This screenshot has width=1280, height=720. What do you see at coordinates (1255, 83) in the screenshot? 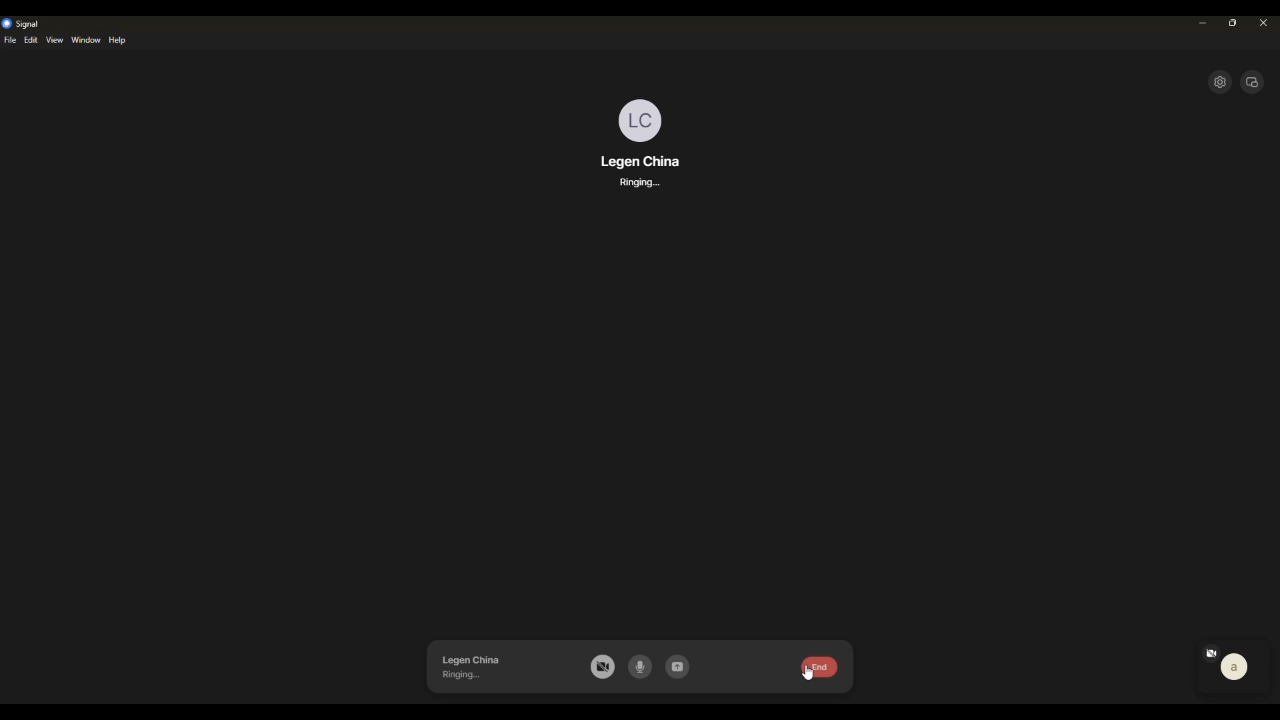
I see `expand` at bounding box center [1255, 83].